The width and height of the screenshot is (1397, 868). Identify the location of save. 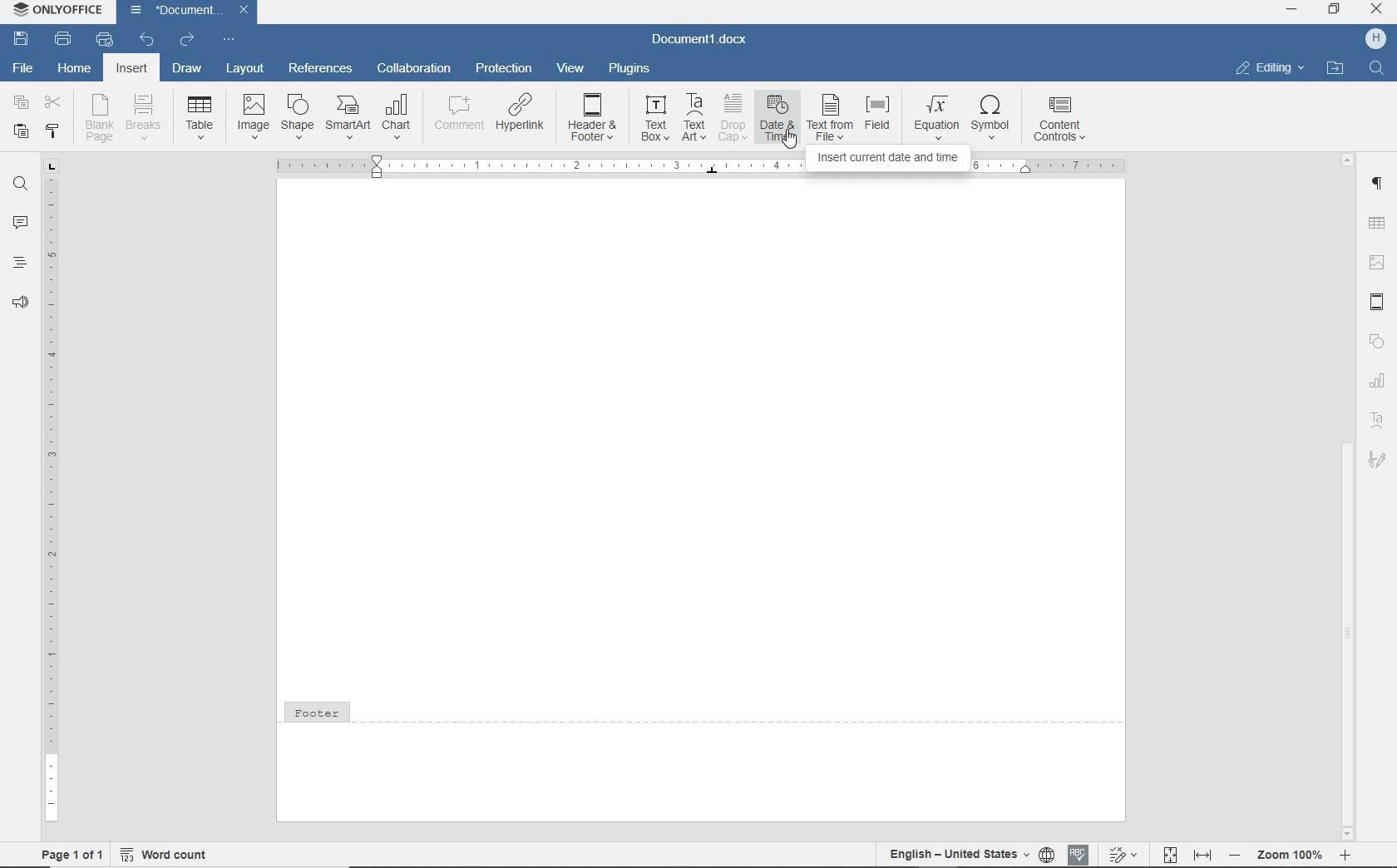
(20, 38).